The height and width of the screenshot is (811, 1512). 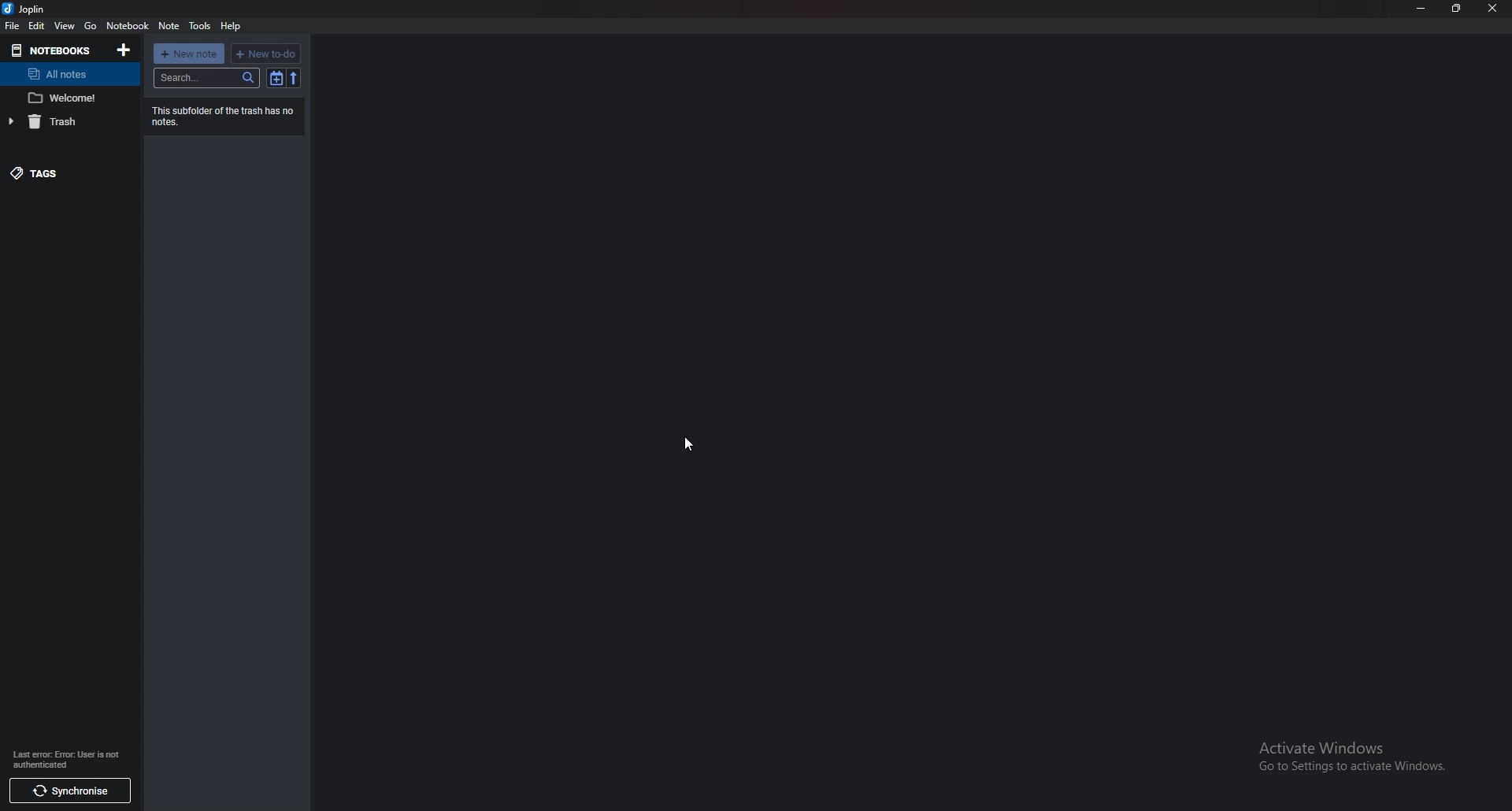 I want to click on Resize, so click(x=1457, y=9).